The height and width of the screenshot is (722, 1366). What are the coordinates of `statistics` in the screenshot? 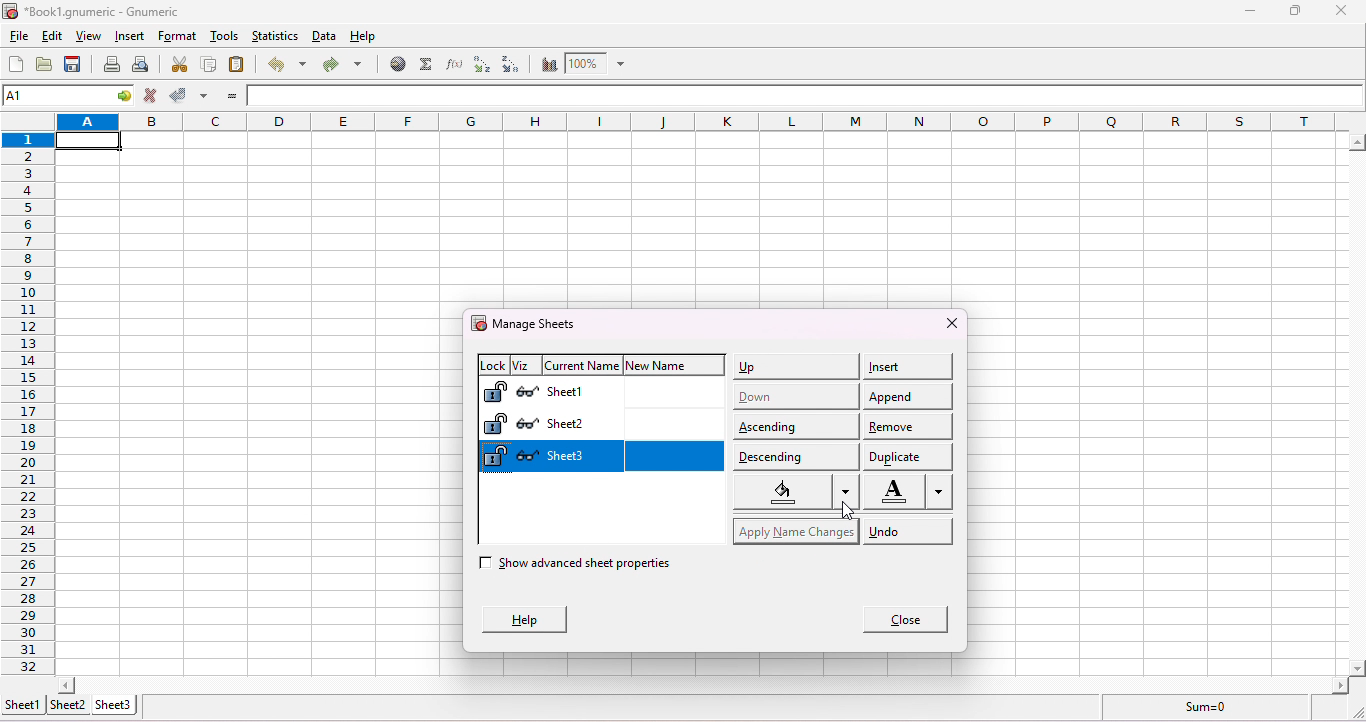 It's located at (277, 36).